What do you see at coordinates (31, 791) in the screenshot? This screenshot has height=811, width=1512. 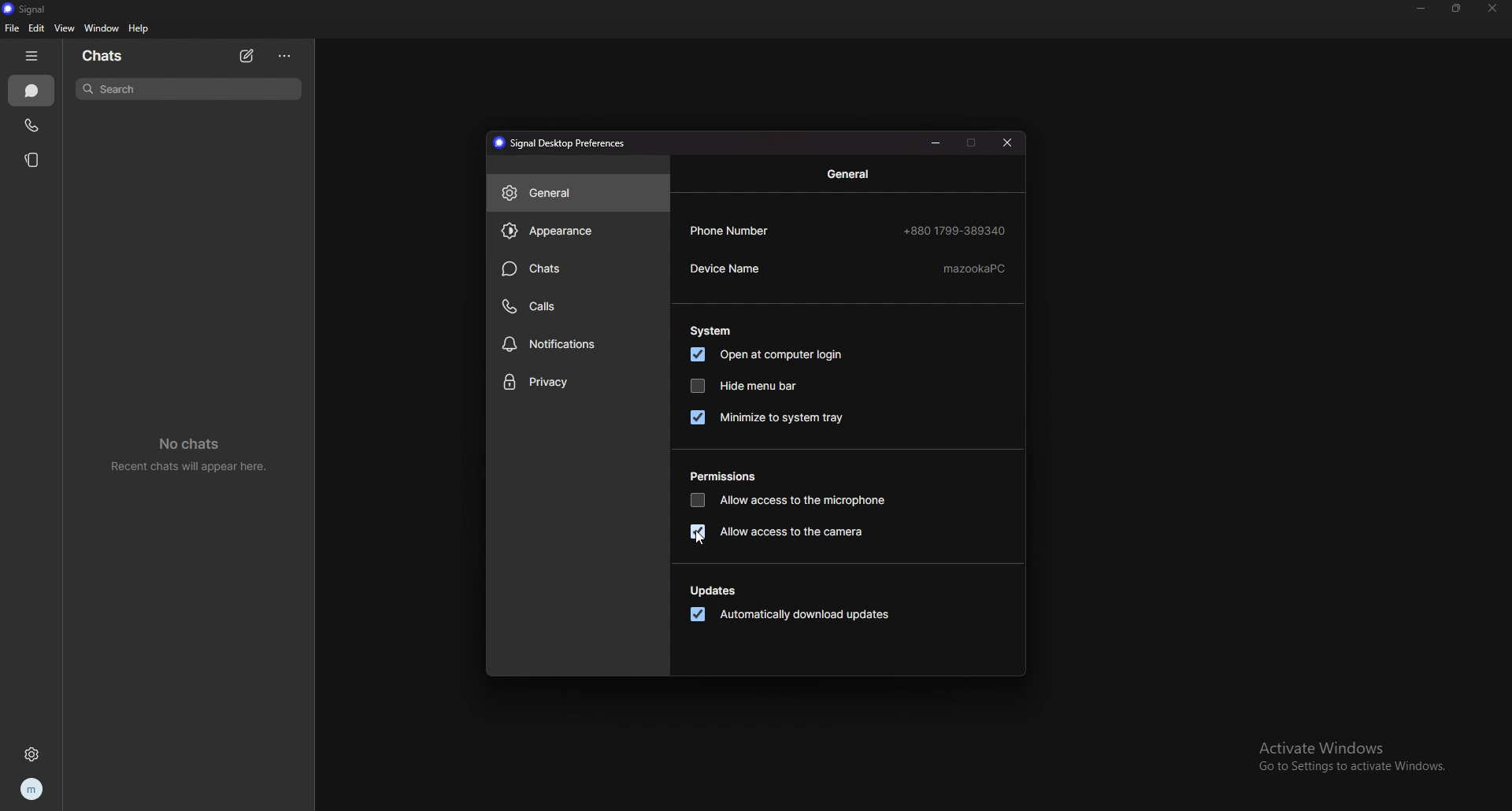 I see `profile` at bounding box center [31, 791].